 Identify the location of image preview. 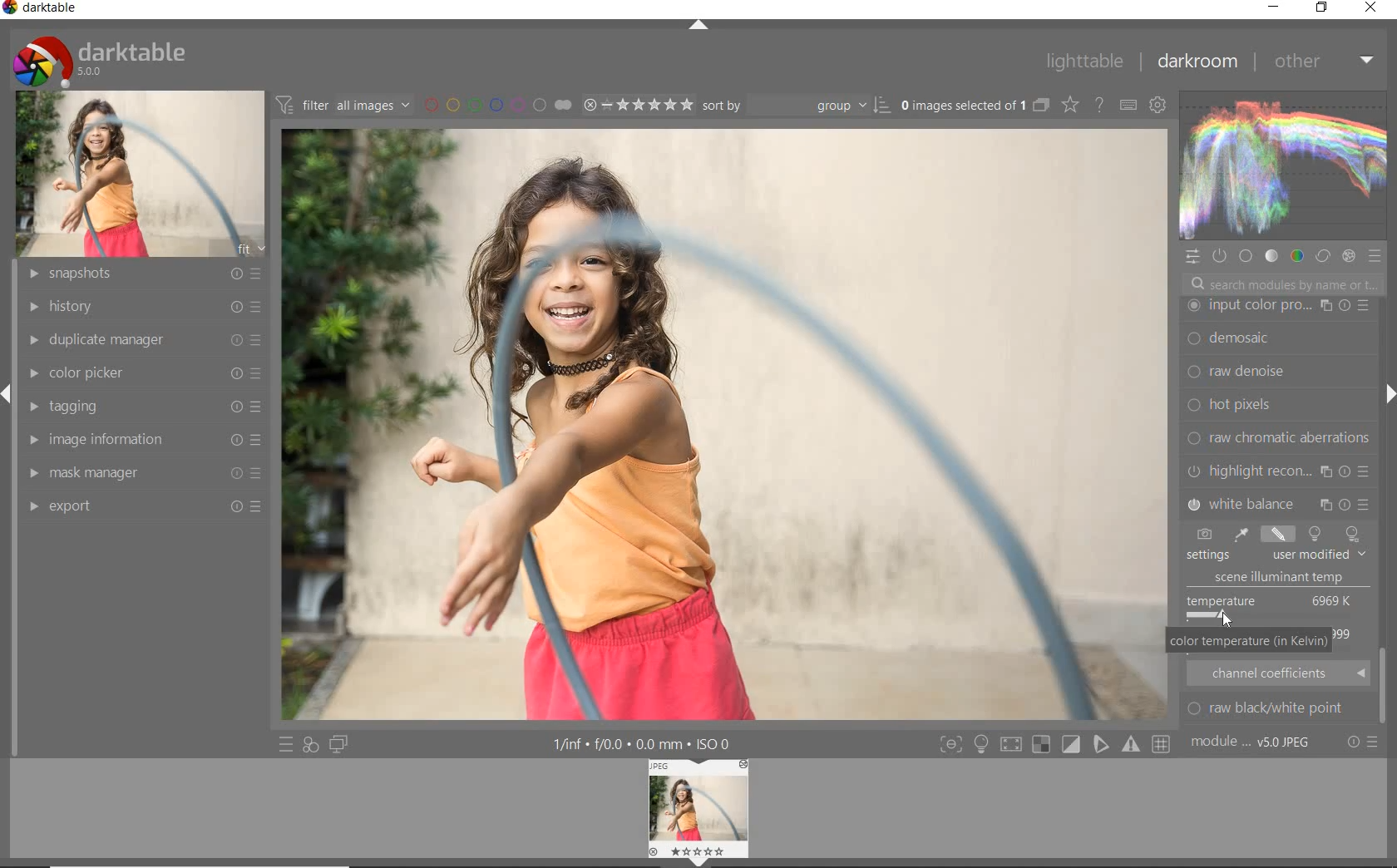
(699, 813).